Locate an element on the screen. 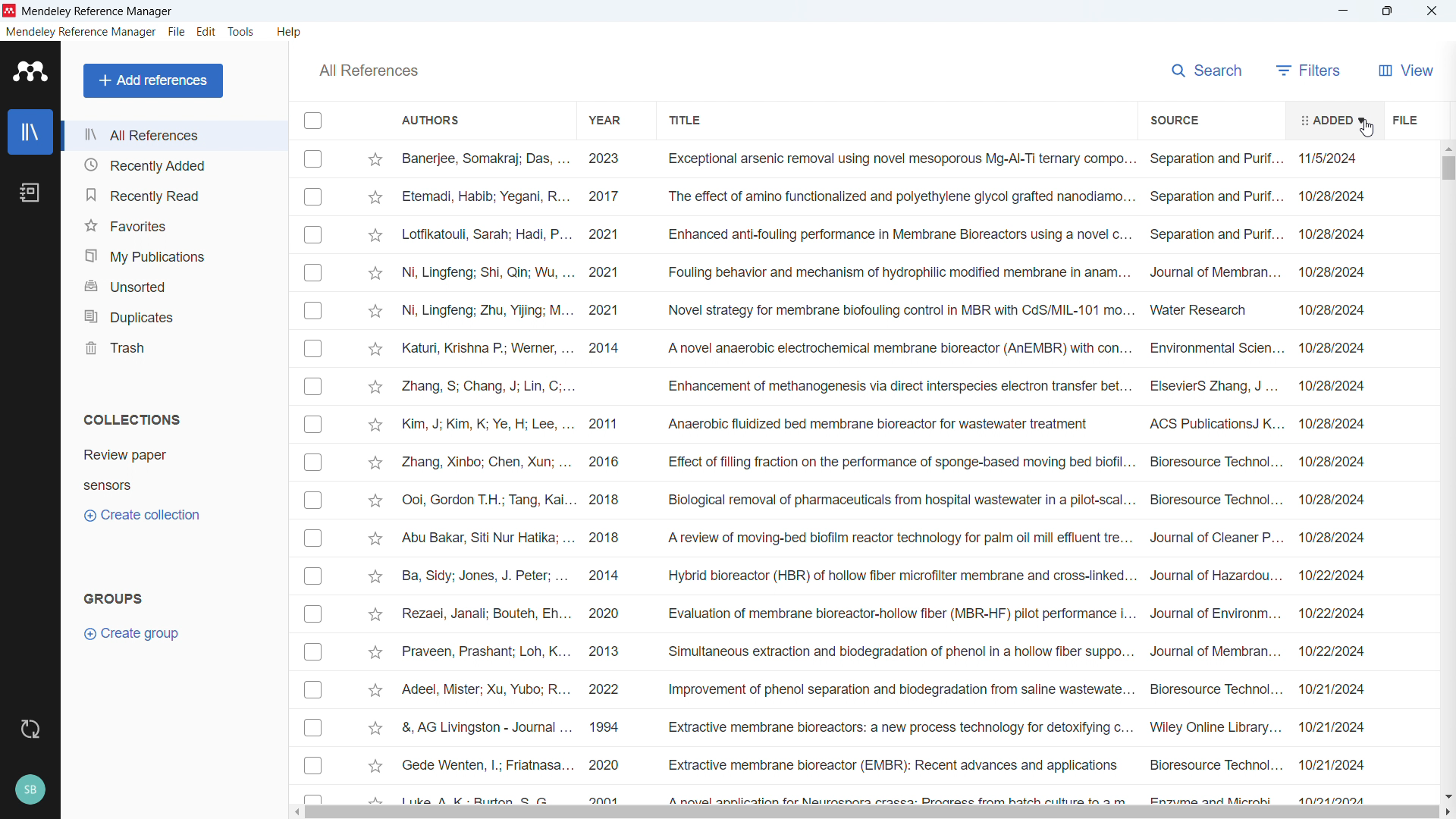 Image resolution: width=1456 pixels, height=819 pixels. Select all  is located at coordinates (312, 120).